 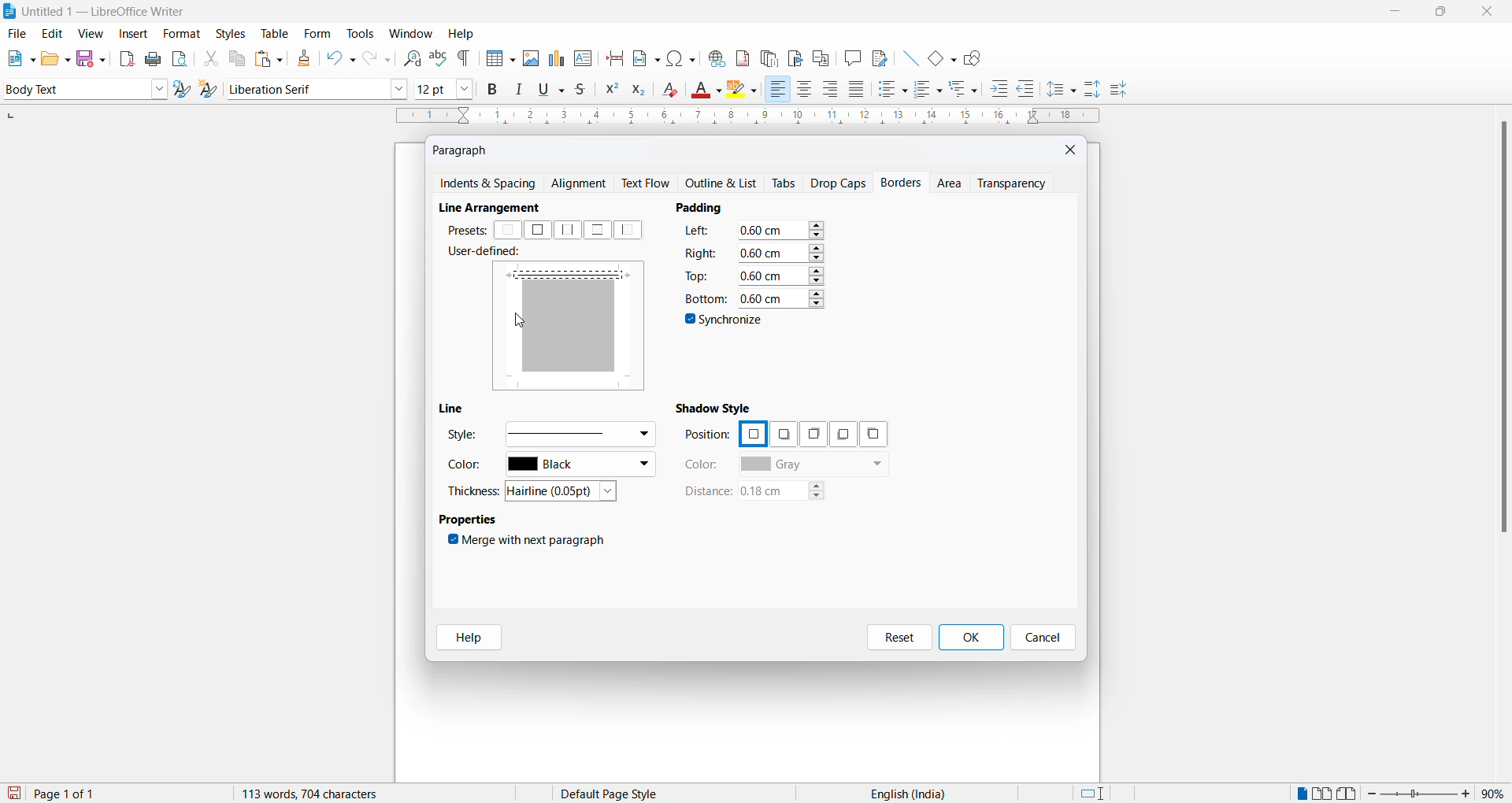 What do you see at coordinates (849, 57) in the screenshot?
I see `insert comments` at bounding box center [849, 57].